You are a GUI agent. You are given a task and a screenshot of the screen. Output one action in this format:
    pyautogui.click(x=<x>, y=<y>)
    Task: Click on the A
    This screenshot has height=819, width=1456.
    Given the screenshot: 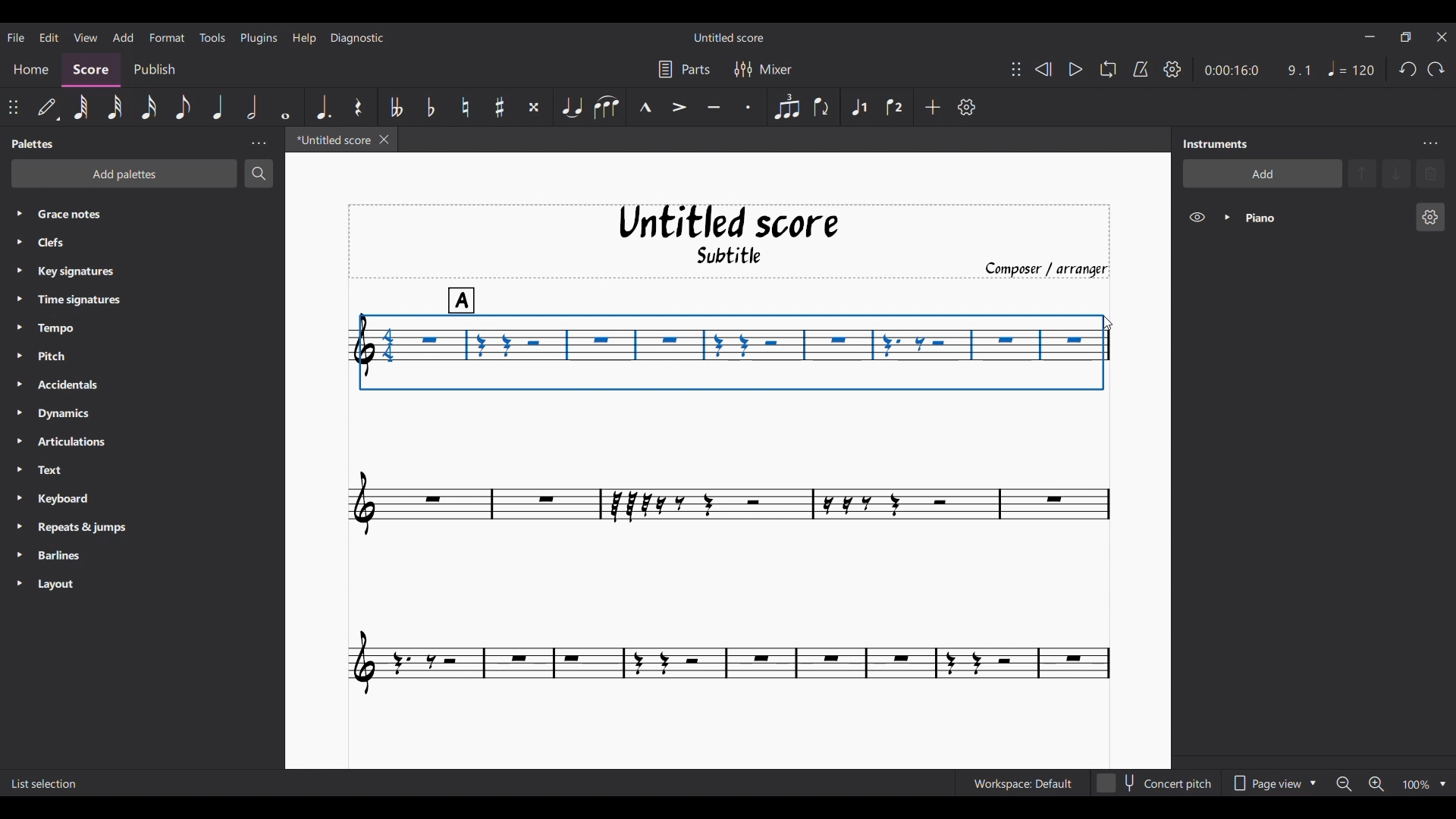 What is the action you would take?
    pyautogui.click(x=463, y=296)
    